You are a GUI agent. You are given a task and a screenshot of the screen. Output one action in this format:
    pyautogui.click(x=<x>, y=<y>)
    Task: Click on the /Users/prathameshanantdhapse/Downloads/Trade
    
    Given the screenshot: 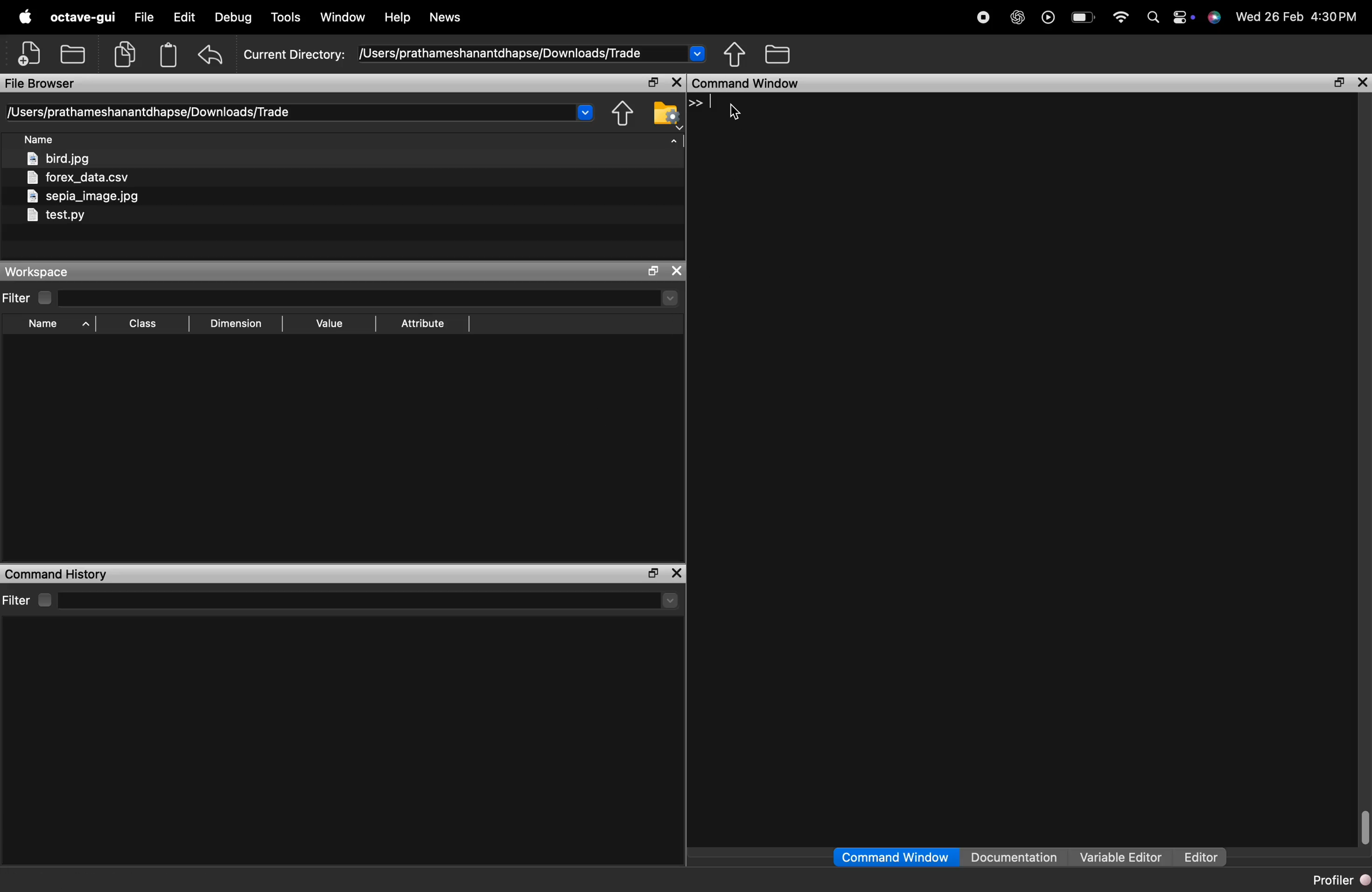 What is the action you would take?
    pyautogui.click(x=149, y=112)
    